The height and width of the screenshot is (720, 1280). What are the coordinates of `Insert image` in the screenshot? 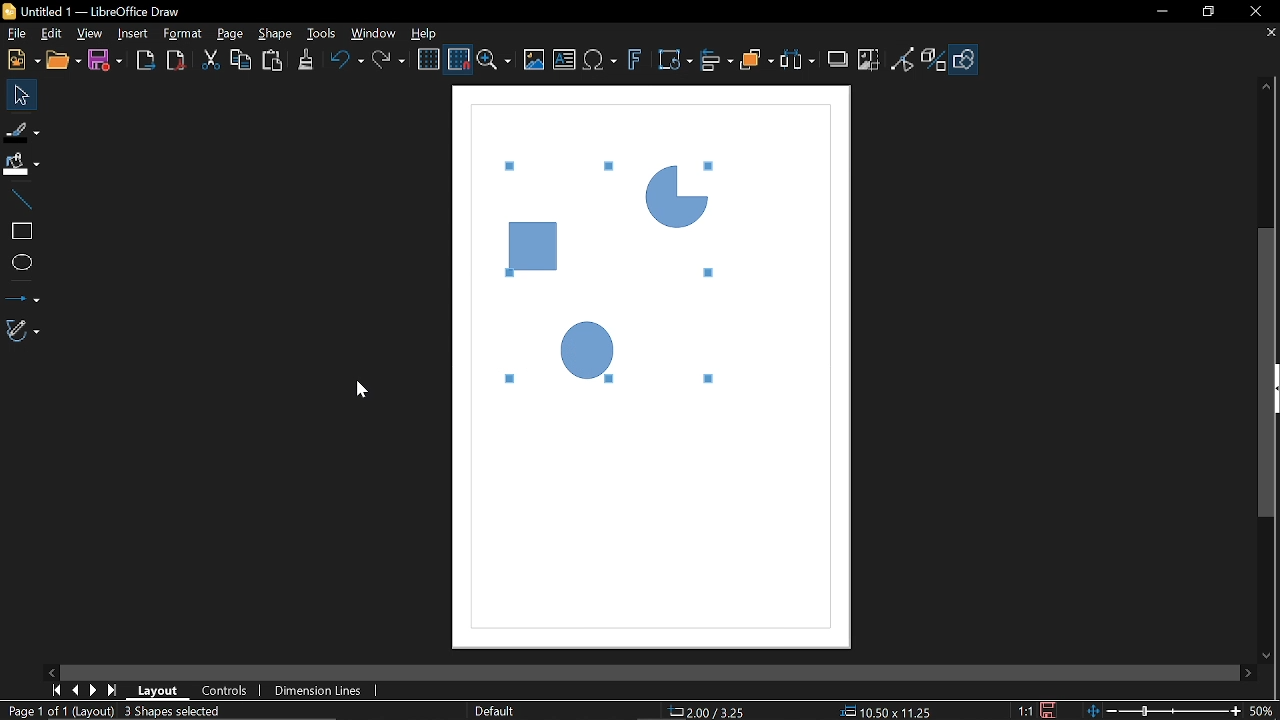 It's located at (534, 60).